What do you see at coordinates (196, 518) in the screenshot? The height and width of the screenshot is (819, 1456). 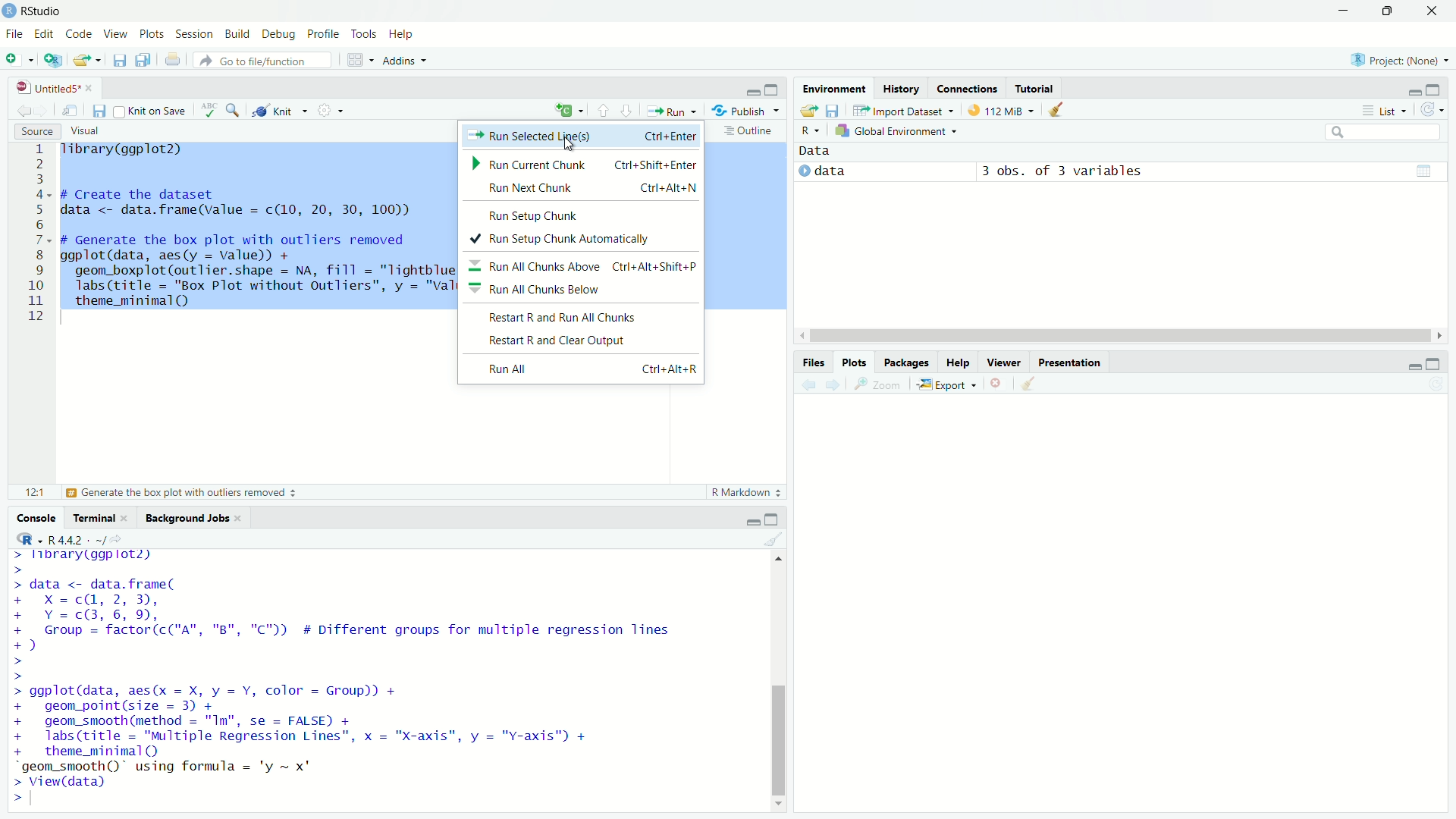 I see `Background Jobs` at bounding box center [196, 518].